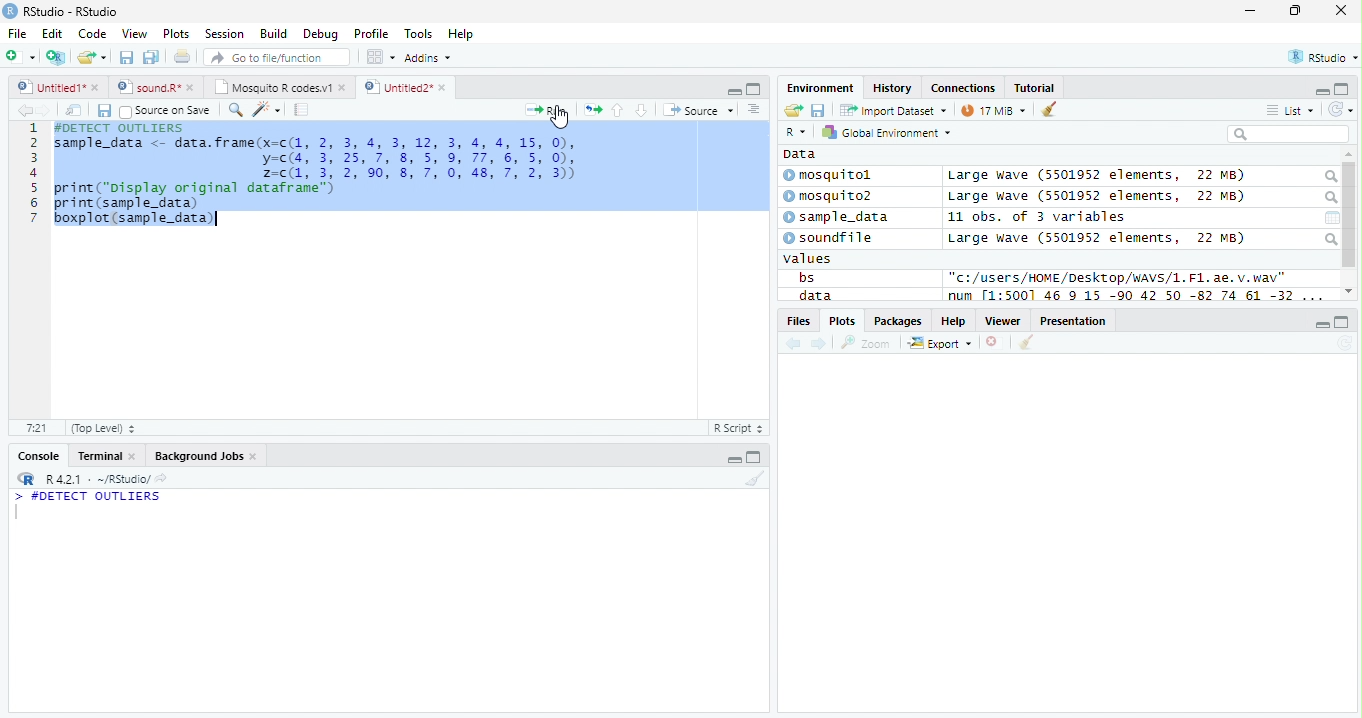  Describe the element at coordinates (319, 34) in the screenshot. I see `Debug` at that location.